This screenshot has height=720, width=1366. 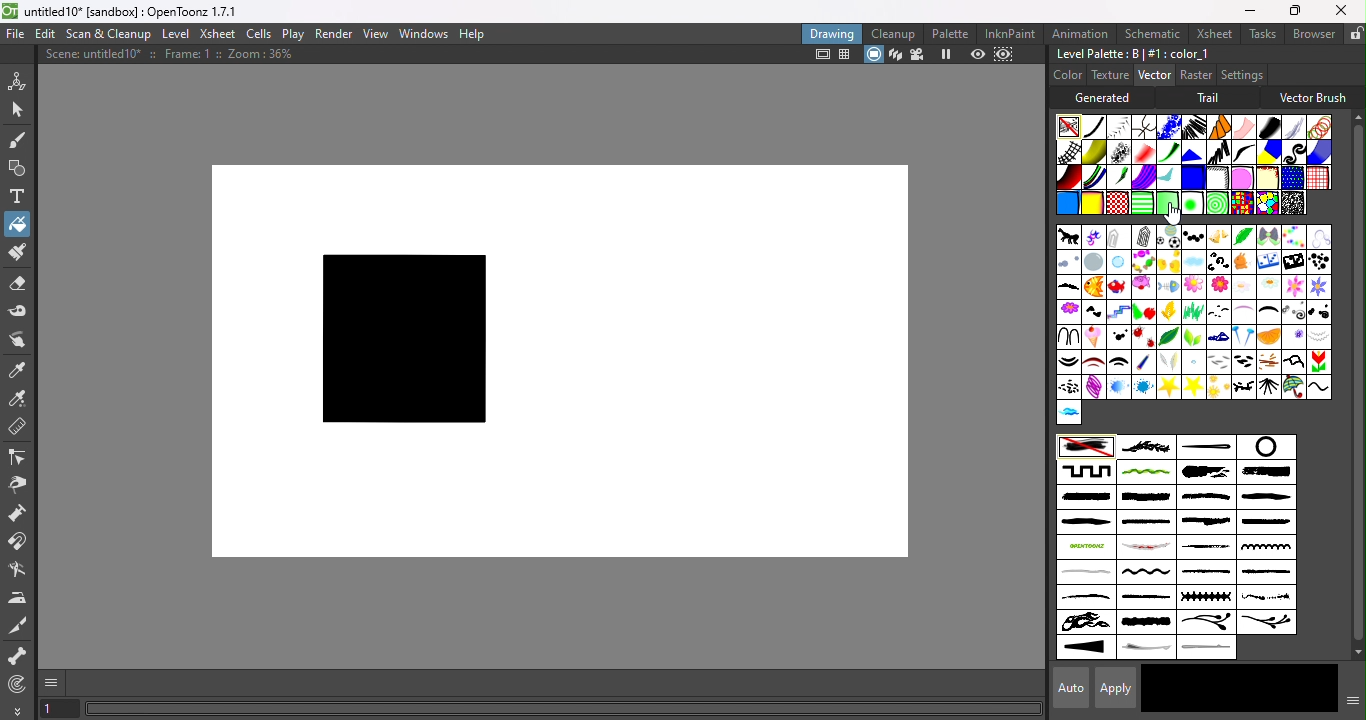 What do you see at coordinates (1193, 151) in the screenshot?
I see `Jagged` at bounding box center [1193, 151].